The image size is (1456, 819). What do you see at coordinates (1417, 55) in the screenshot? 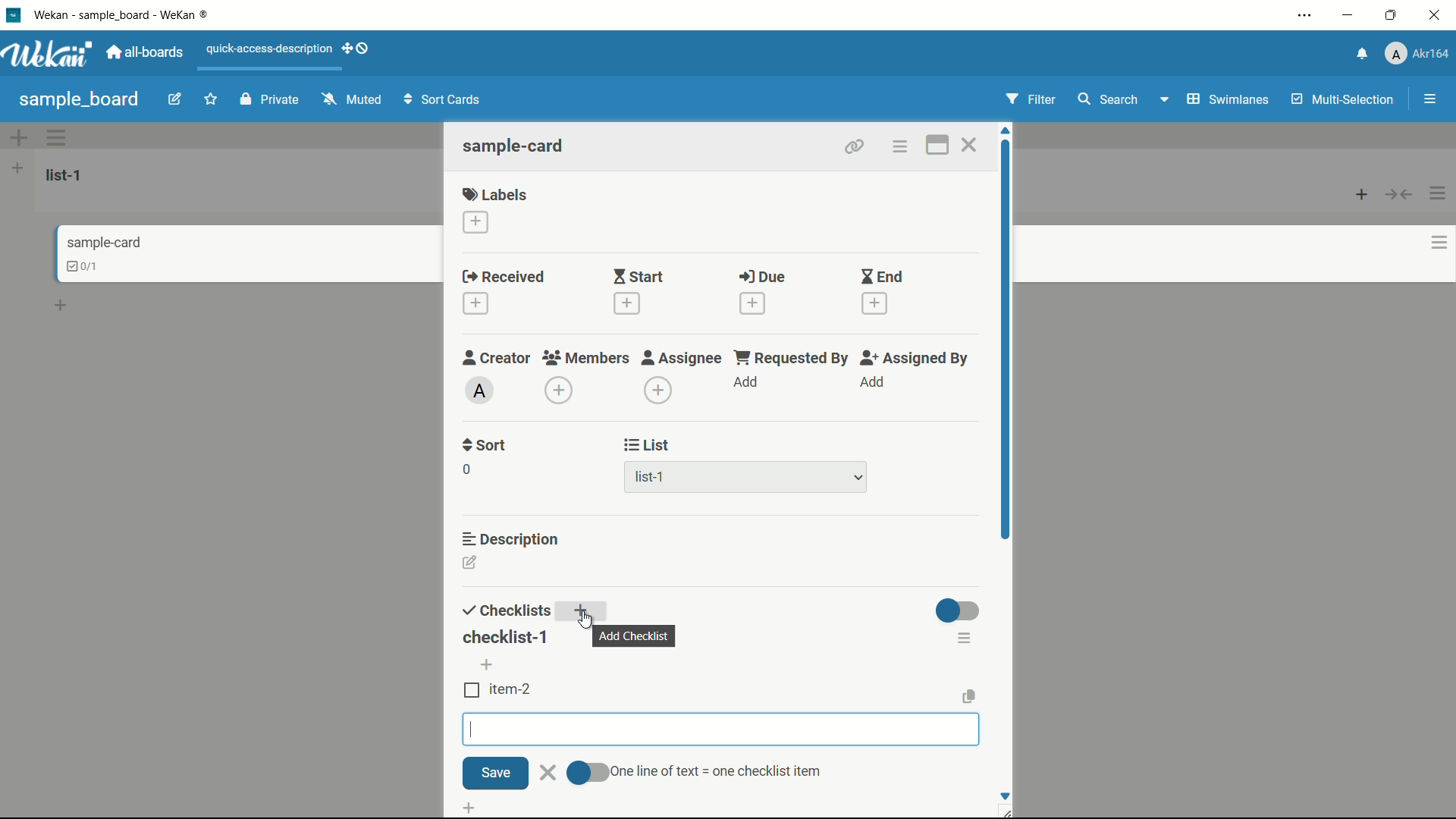
I see `profile` at bounding box center [1417, 55].